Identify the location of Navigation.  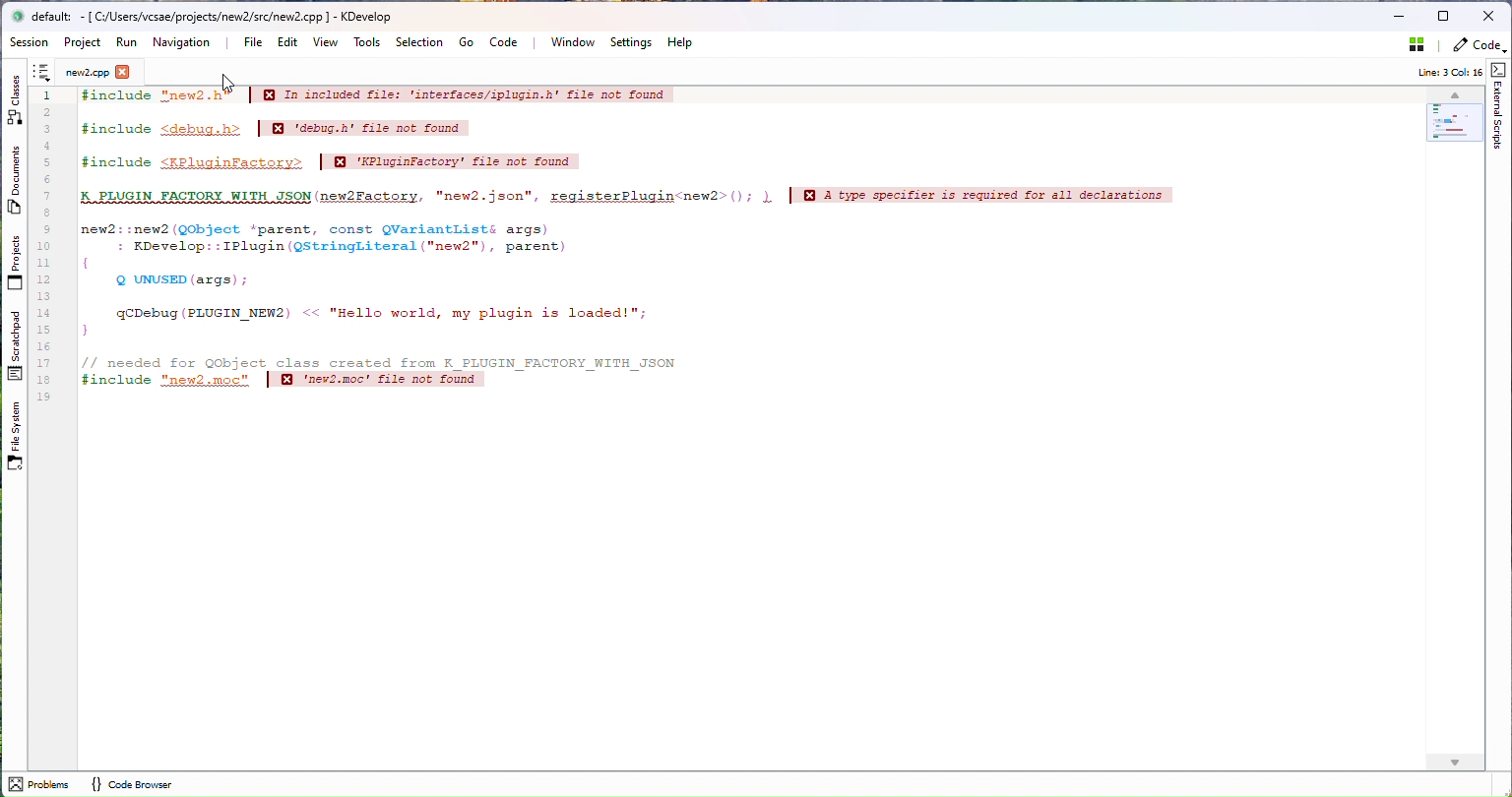
(183, 43).